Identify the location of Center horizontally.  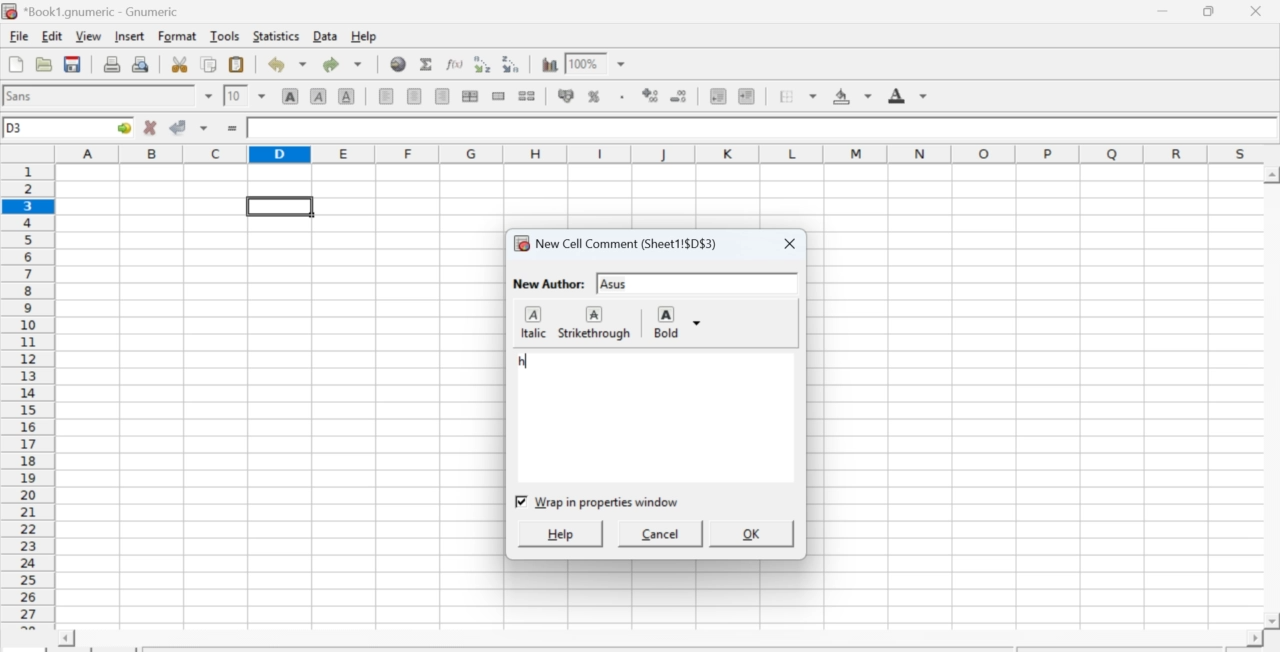
(470, 97).